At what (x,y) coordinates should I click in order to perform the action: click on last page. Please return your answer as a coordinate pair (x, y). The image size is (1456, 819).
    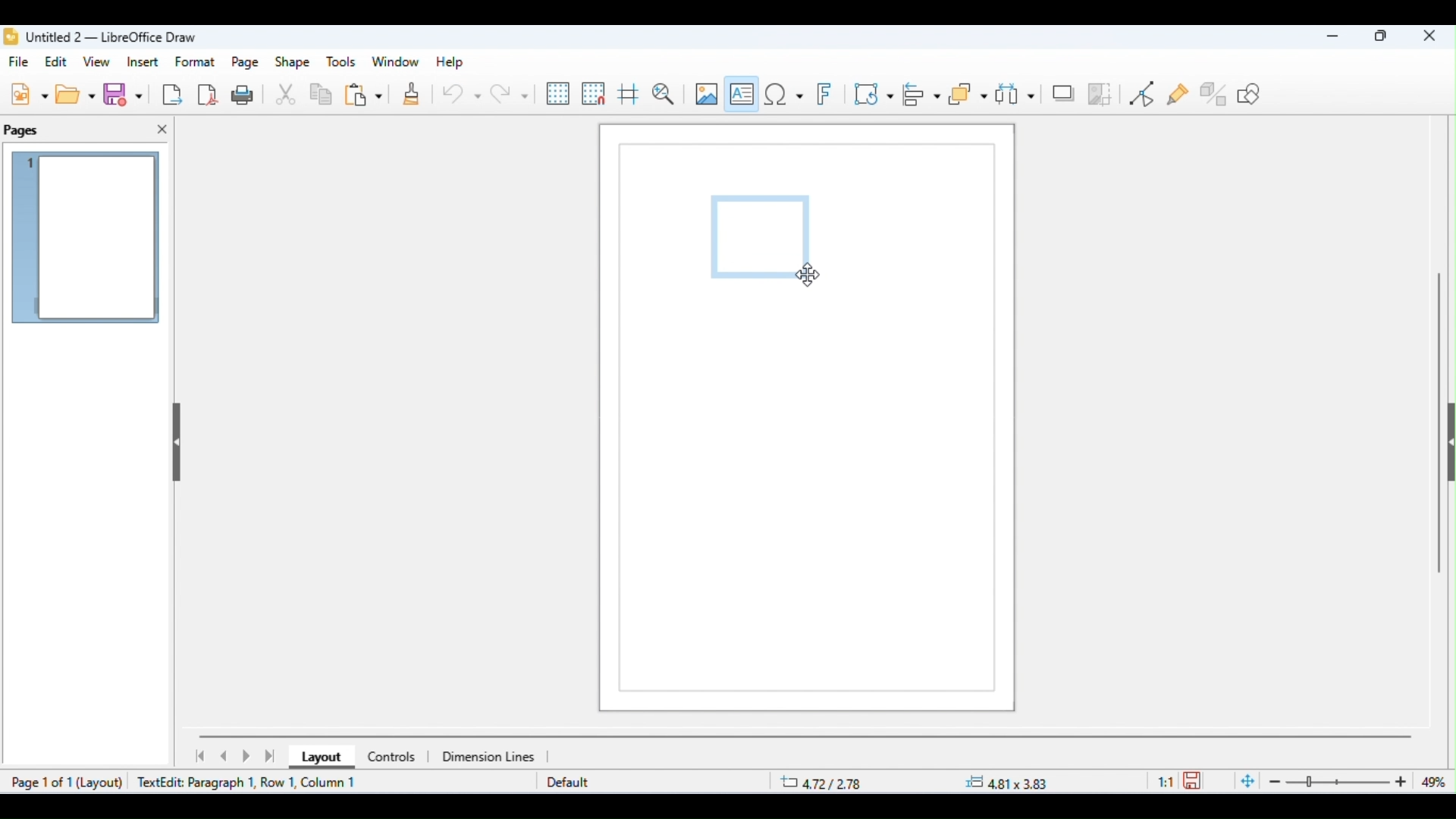
    Looking at the image, I should click on (271, 756).